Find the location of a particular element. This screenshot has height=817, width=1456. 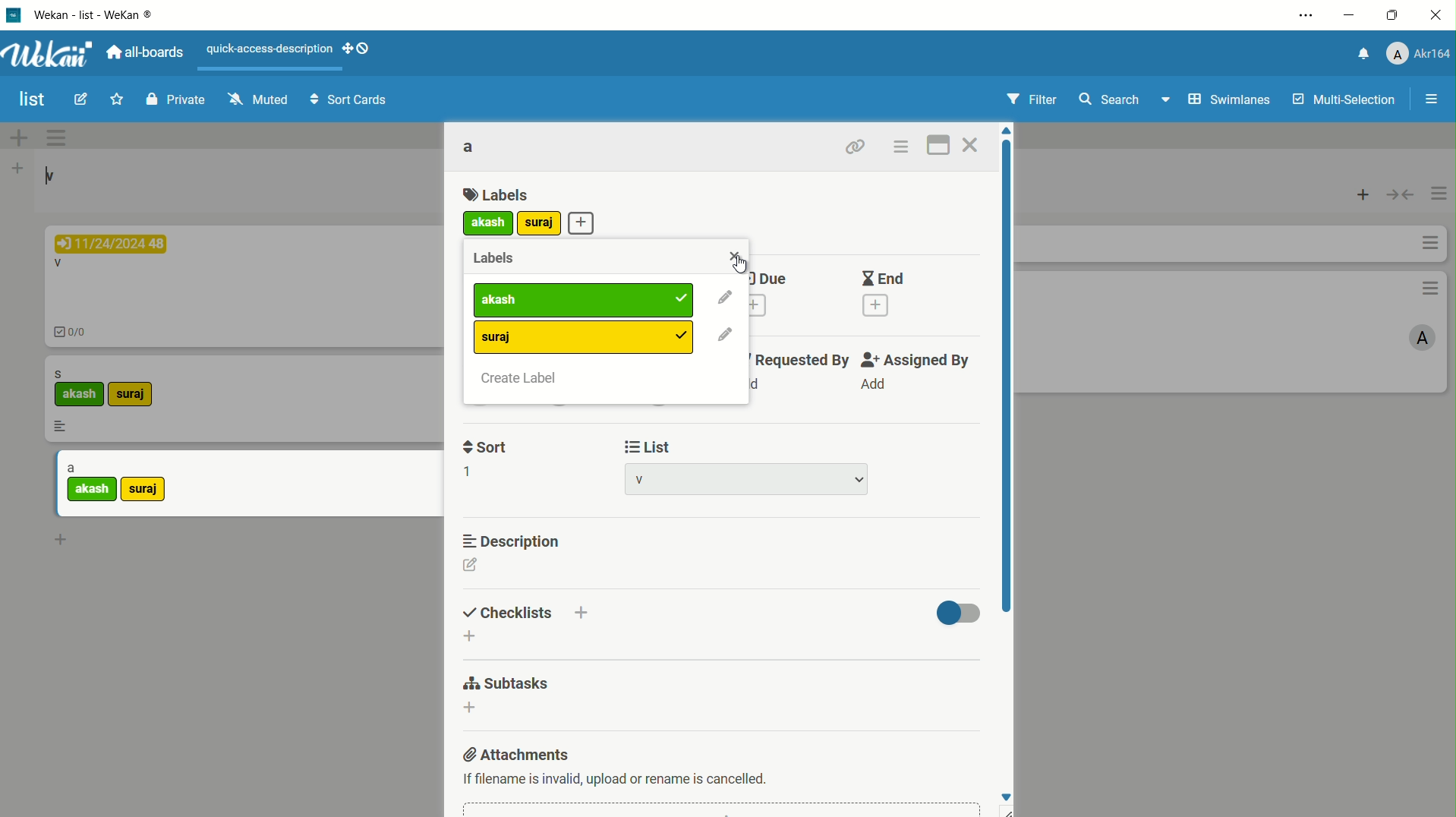

notification is located at coordinates (1361, 54).